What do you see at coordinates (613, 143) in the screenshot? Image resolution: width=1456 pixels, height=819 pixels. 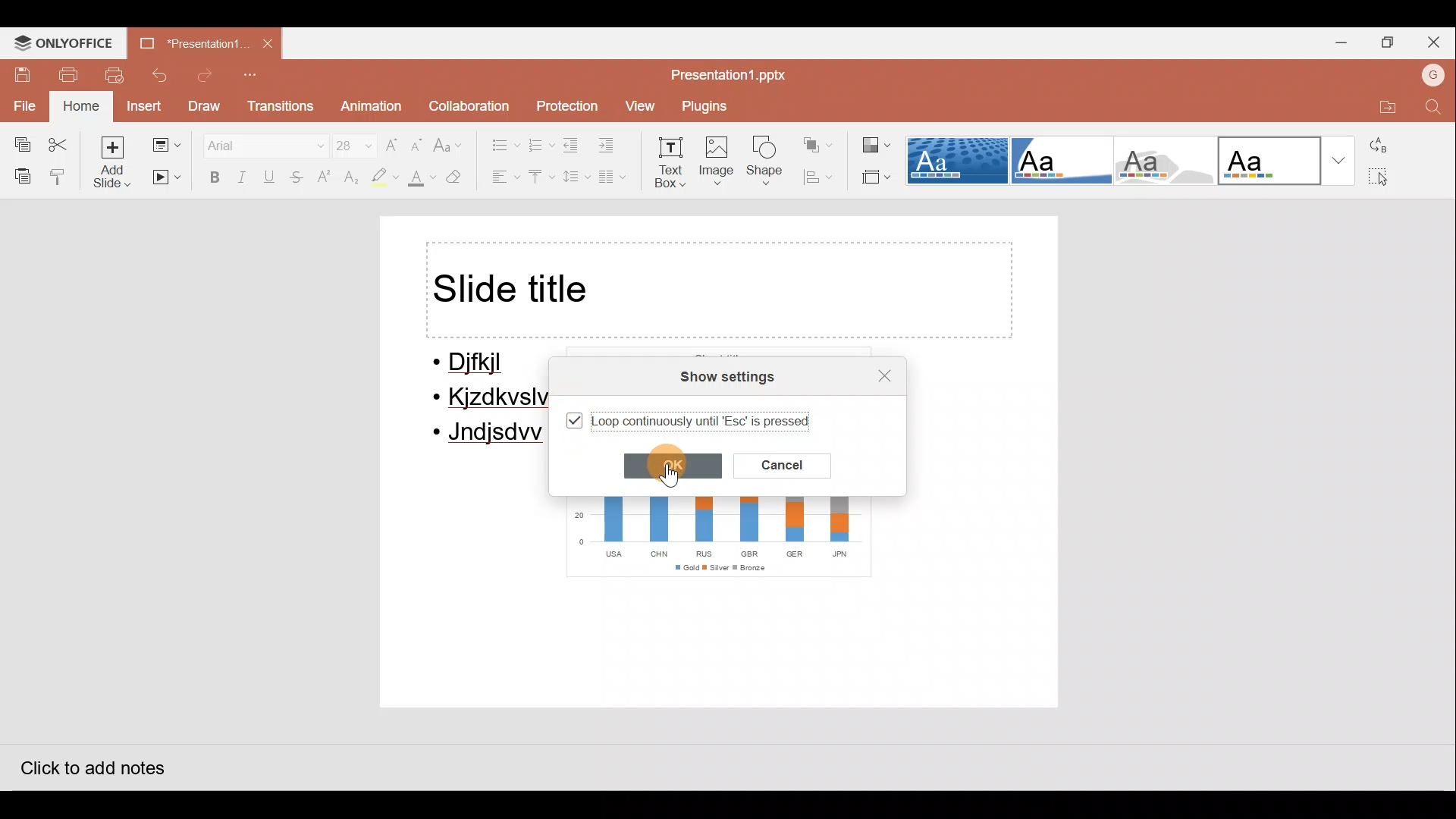 I see `Increase indent` at bounding box center [613, 143].